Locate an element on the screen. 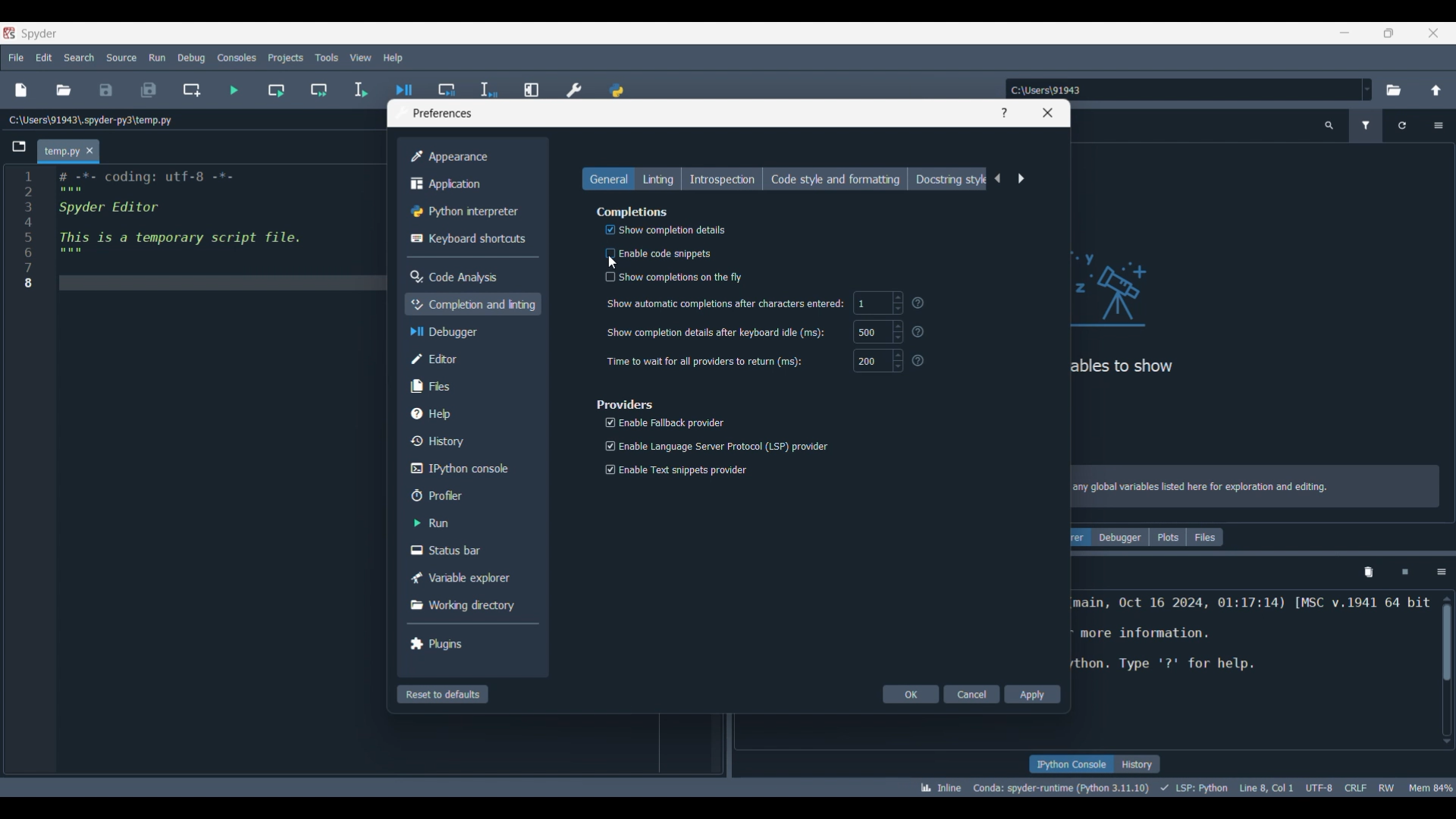  Code style and formatting is located at coordinates (835, 179).